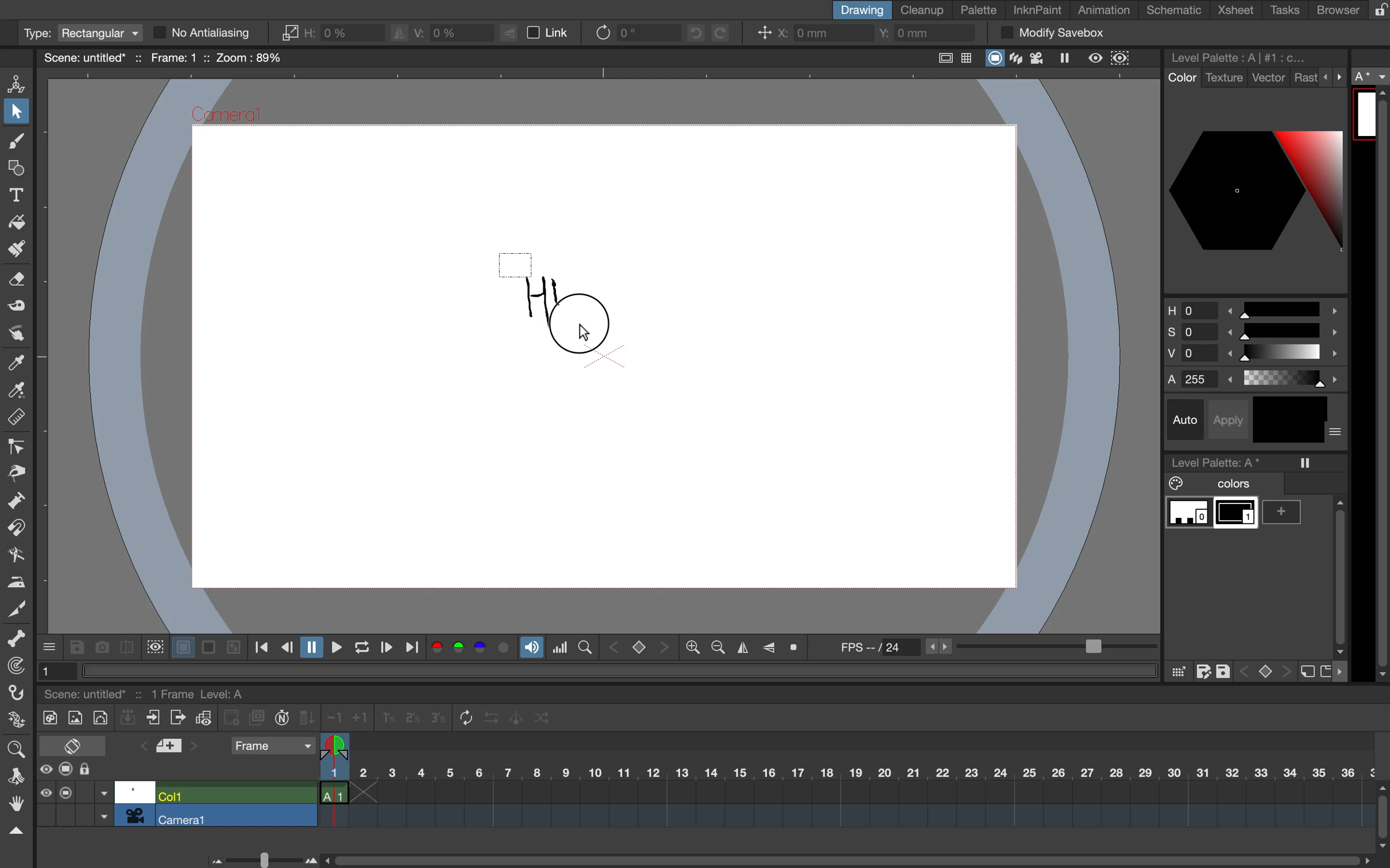 This screenshot has height=868, width=1390. What do you see at coordinates (15, 722) in the screenshot?
I see `plastic tool` at bounding box center [15, 722].